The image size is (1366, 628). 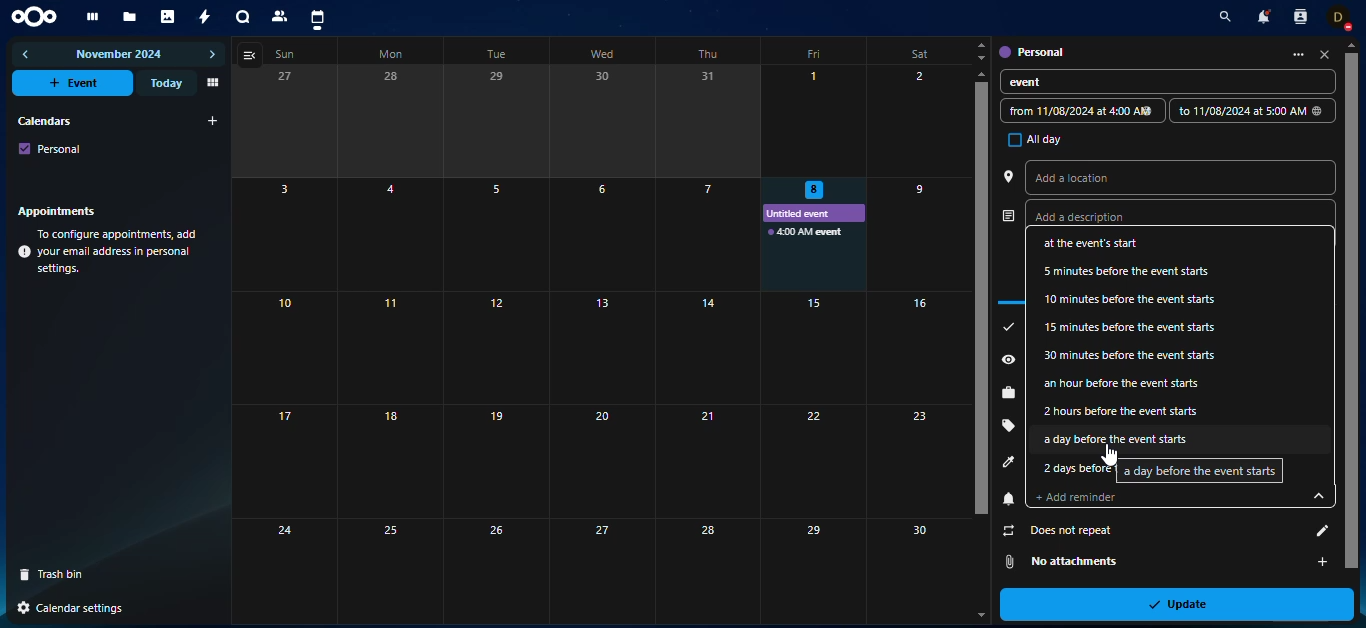 I want to click on location, so click(x=1008, y=176).